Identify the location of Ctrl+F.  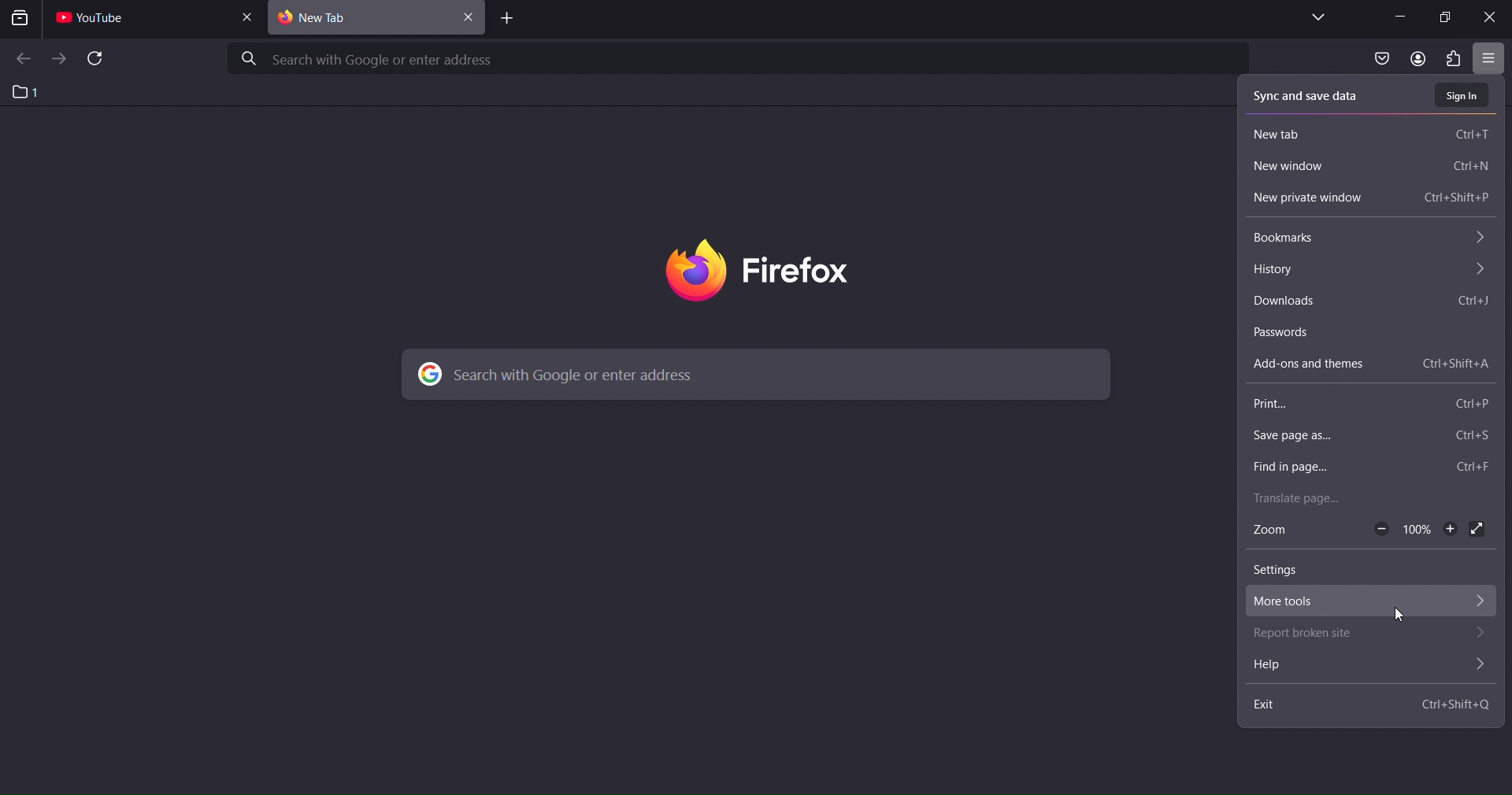
(1477, 466).